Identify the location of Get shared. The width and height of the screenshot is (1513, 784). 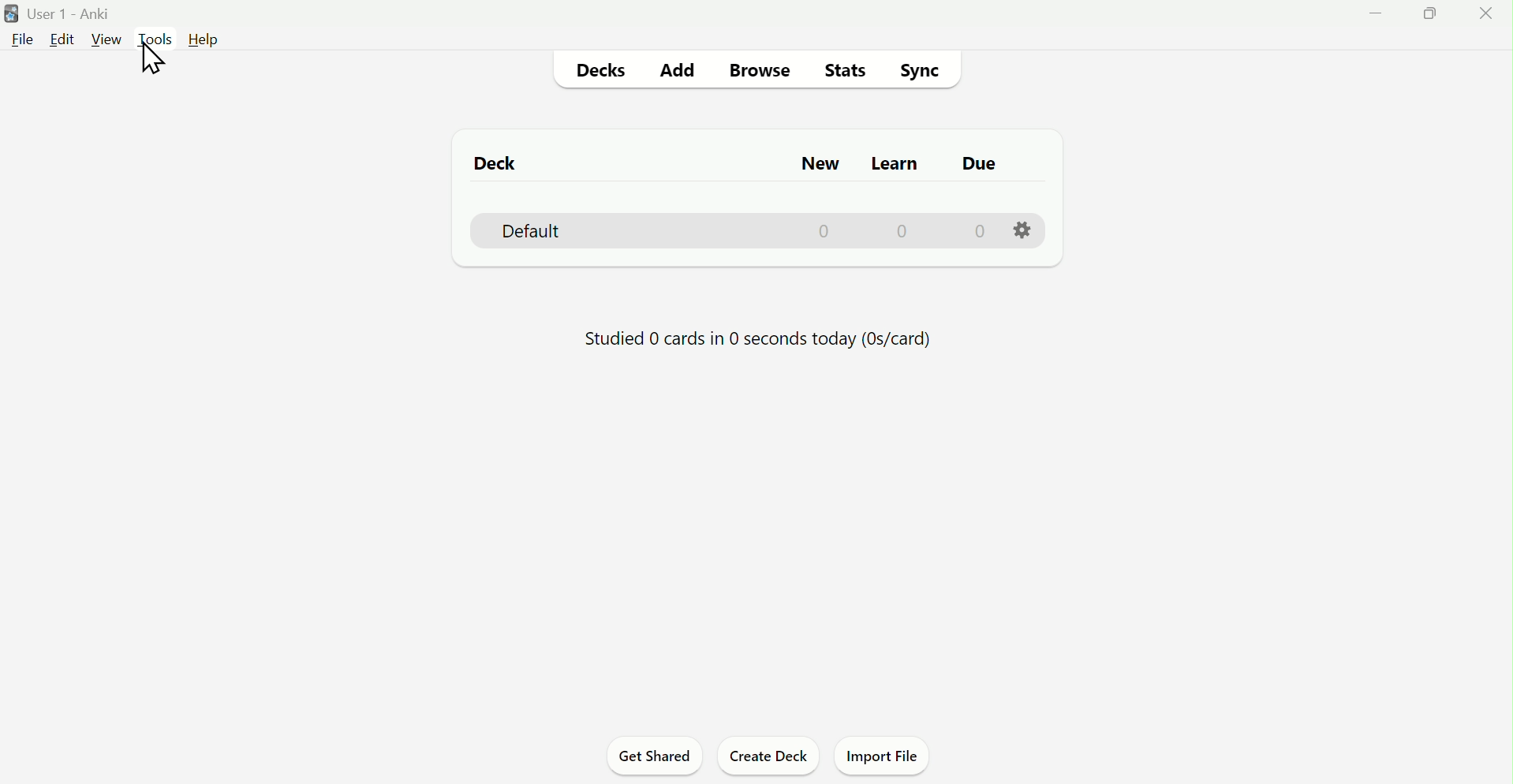
(652, 758).